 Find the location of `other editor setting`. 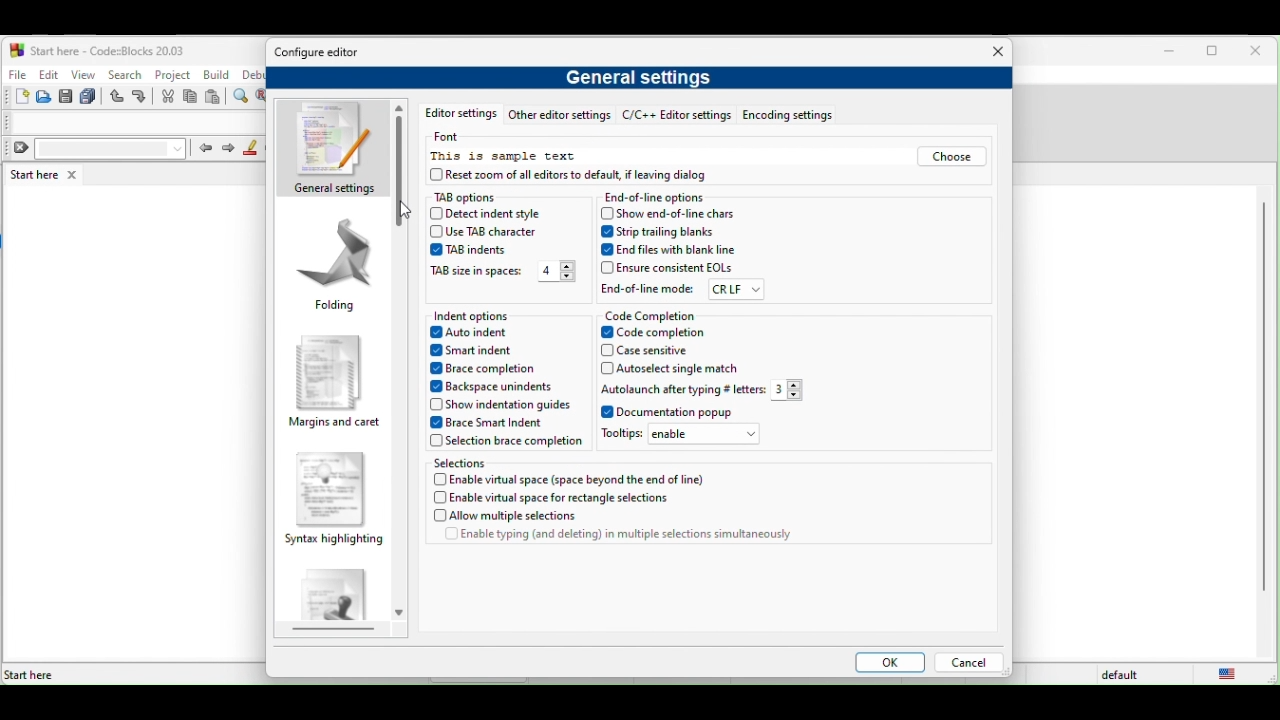

other editor setting is located at coordinates (559, 117).